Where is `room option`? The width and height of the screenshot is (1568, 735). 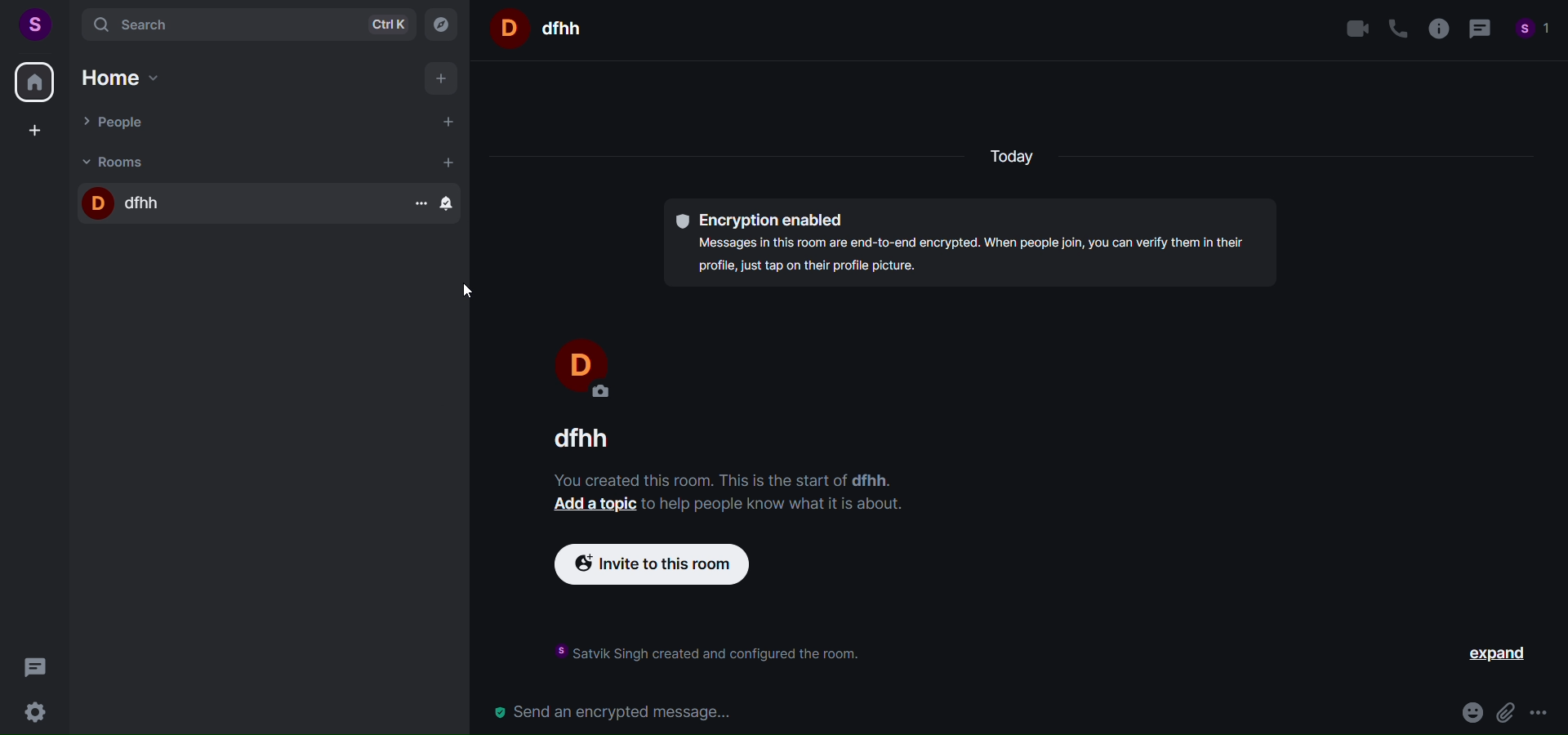 room option is located at coordinates (416, 204).